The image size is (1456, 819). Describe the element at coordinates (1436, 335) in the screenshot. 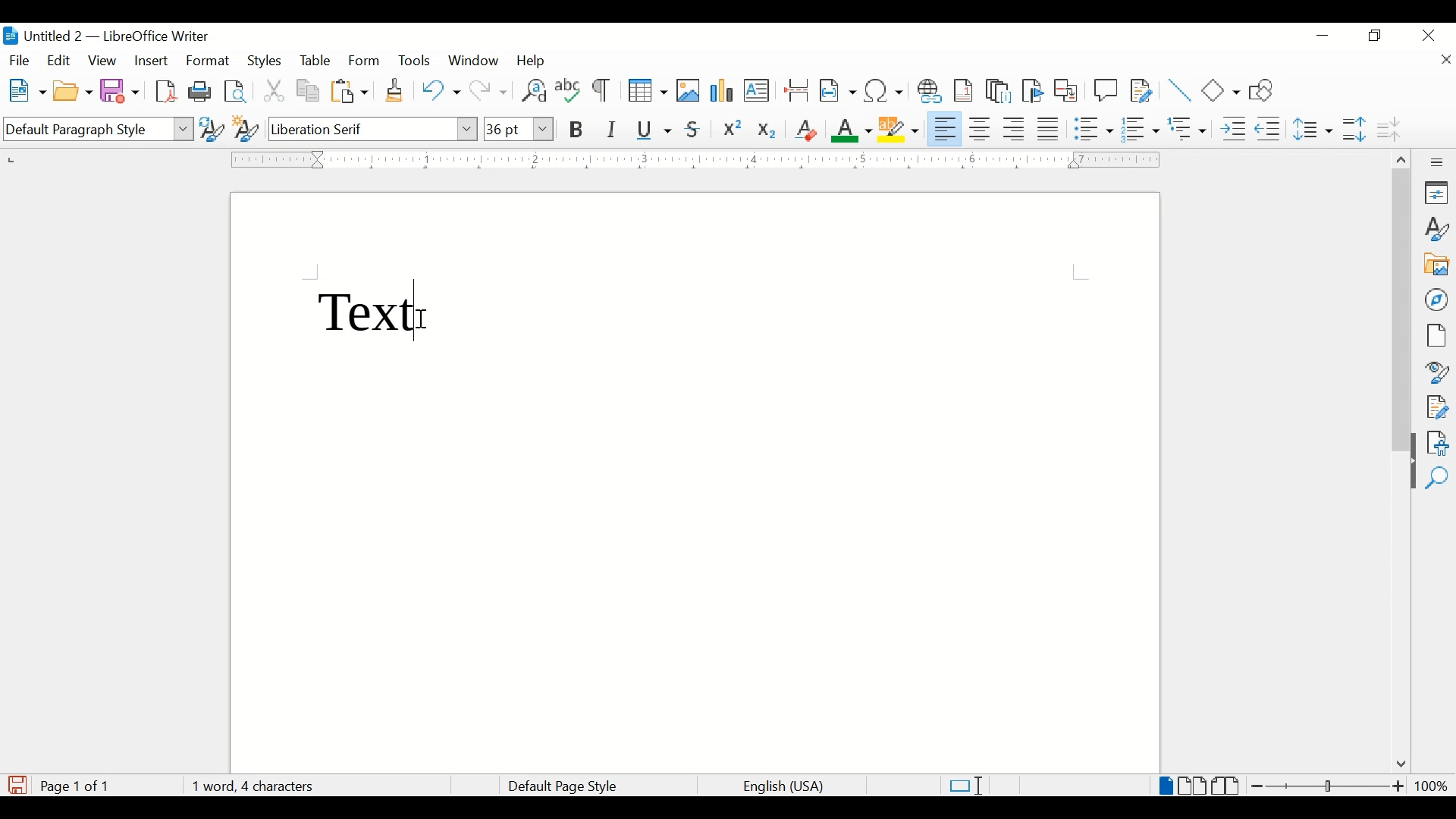

I see `page` at that location.